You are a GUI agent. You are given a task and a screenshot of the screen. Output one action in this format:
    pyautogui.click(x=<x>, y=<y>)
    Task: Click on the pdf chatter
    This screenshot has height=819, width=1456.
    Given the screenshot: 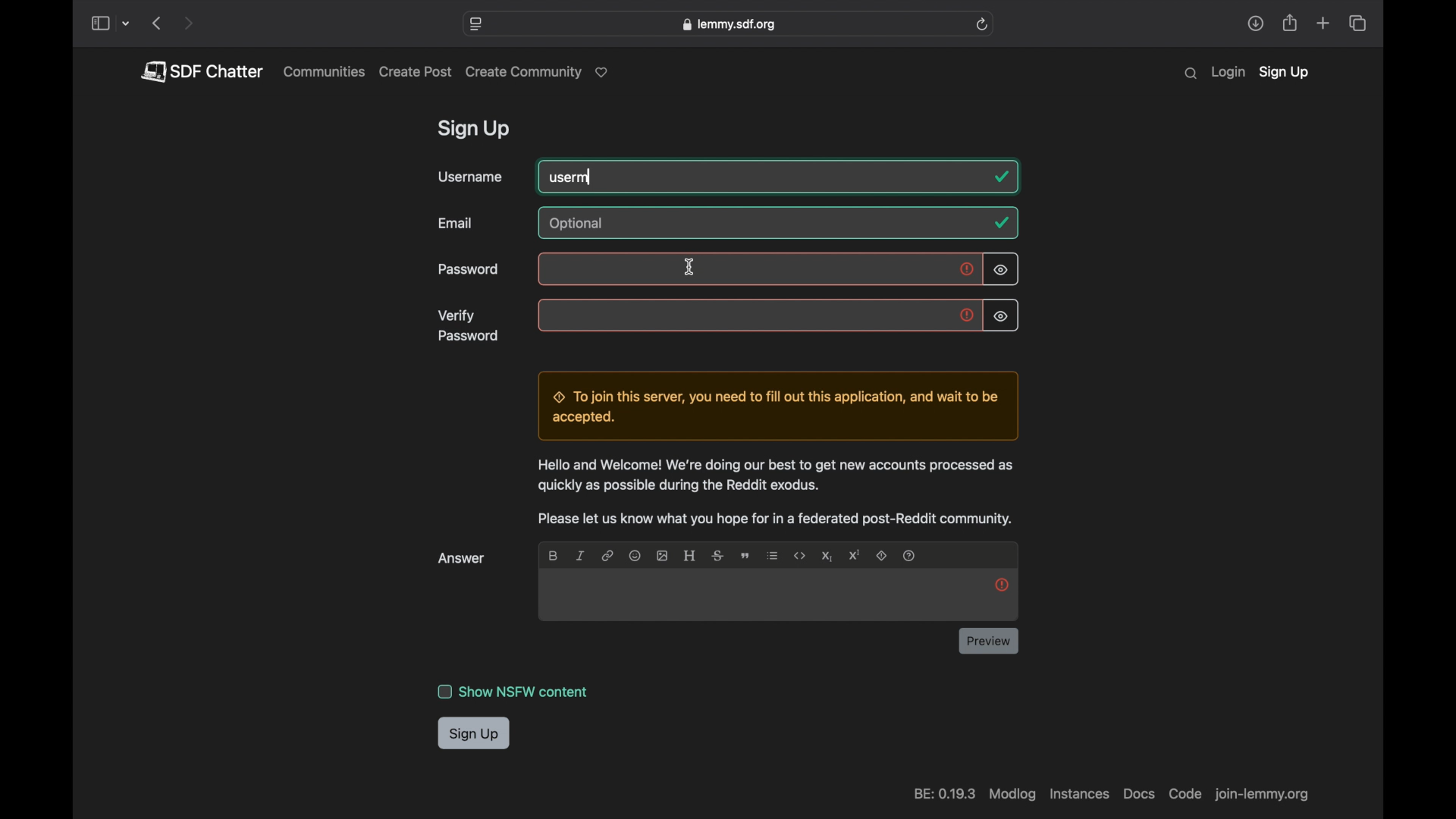 What is the action you would take?
    pyautogui.click(x=201, y=71)
    